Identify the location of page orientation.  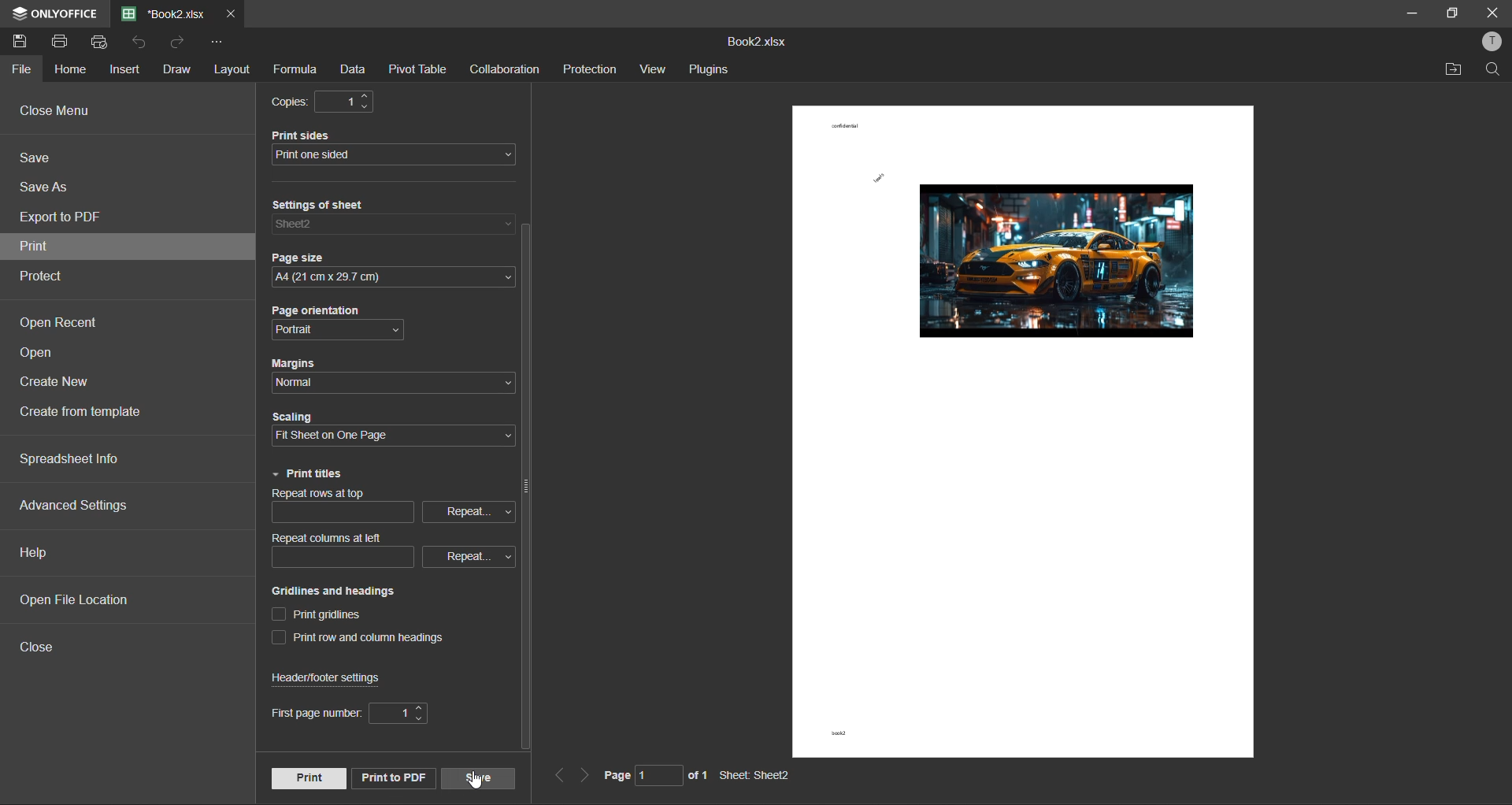
(337, 332).